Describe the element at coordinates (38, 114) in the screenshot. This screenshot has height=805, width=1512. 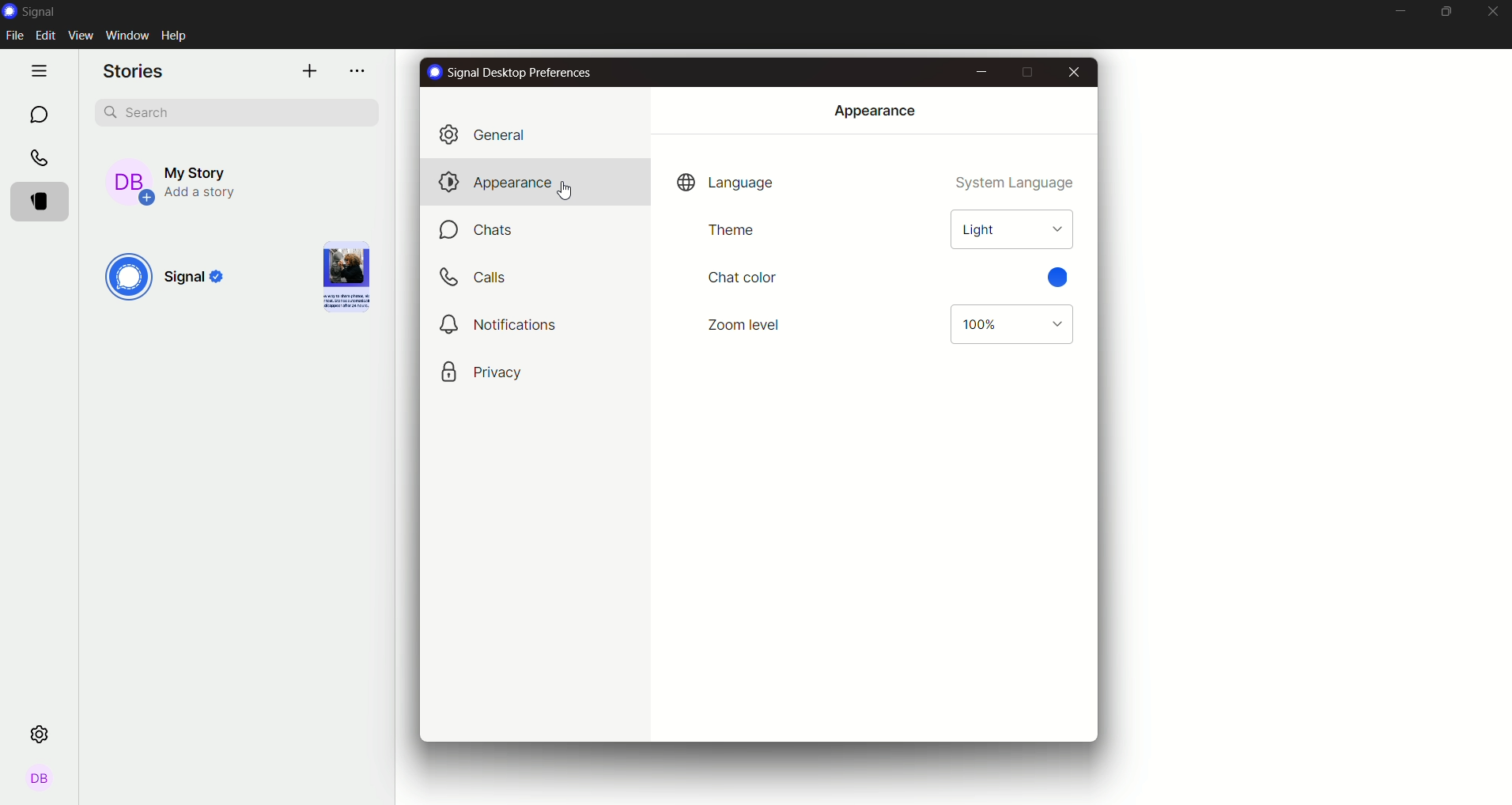
I see `chat` at that location.